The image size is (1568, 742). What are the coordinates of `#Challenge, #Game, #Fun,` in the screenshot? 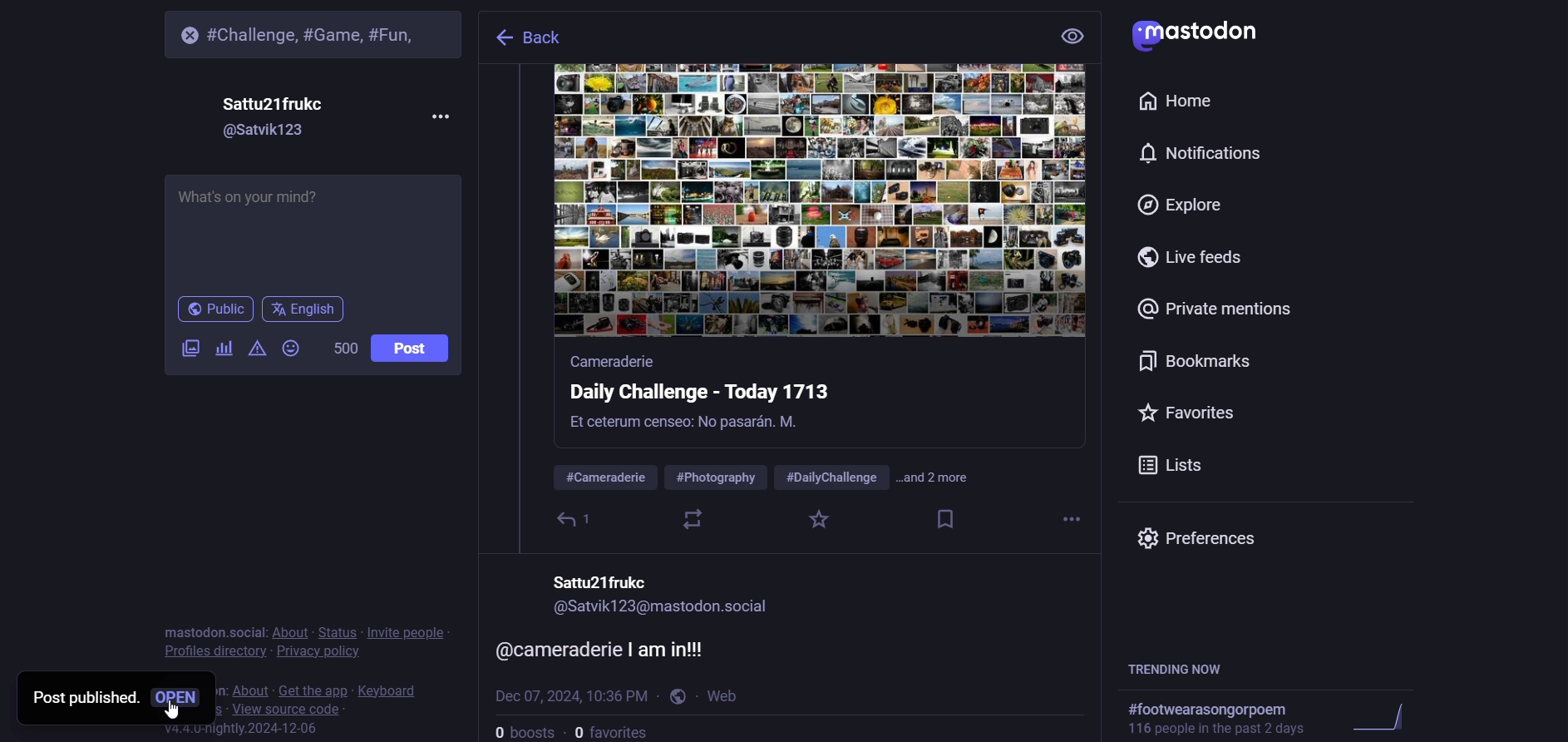 It's located at (323, 30).